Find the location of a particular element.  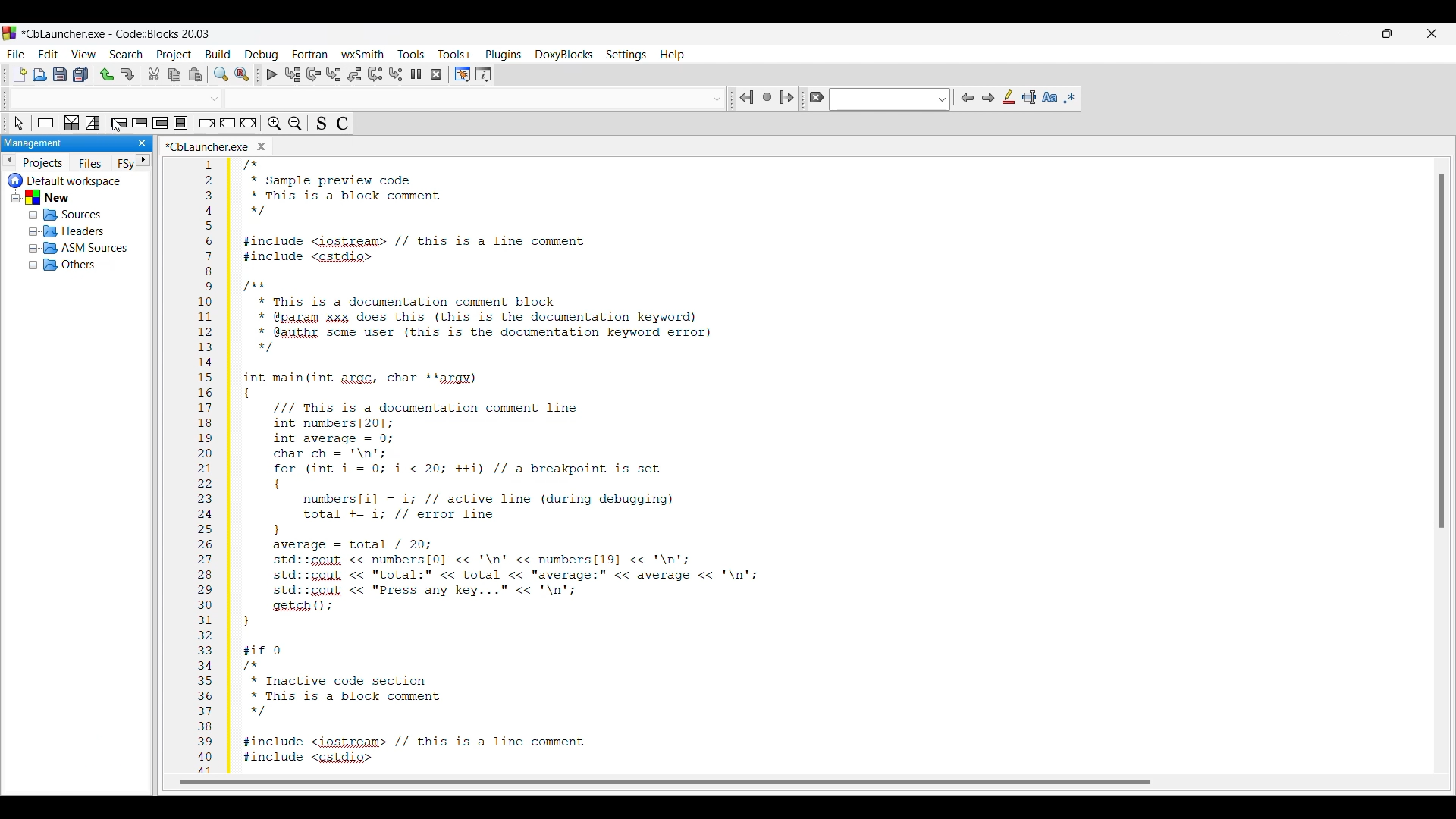

Plugins menu is located at coordinates (504, 55).